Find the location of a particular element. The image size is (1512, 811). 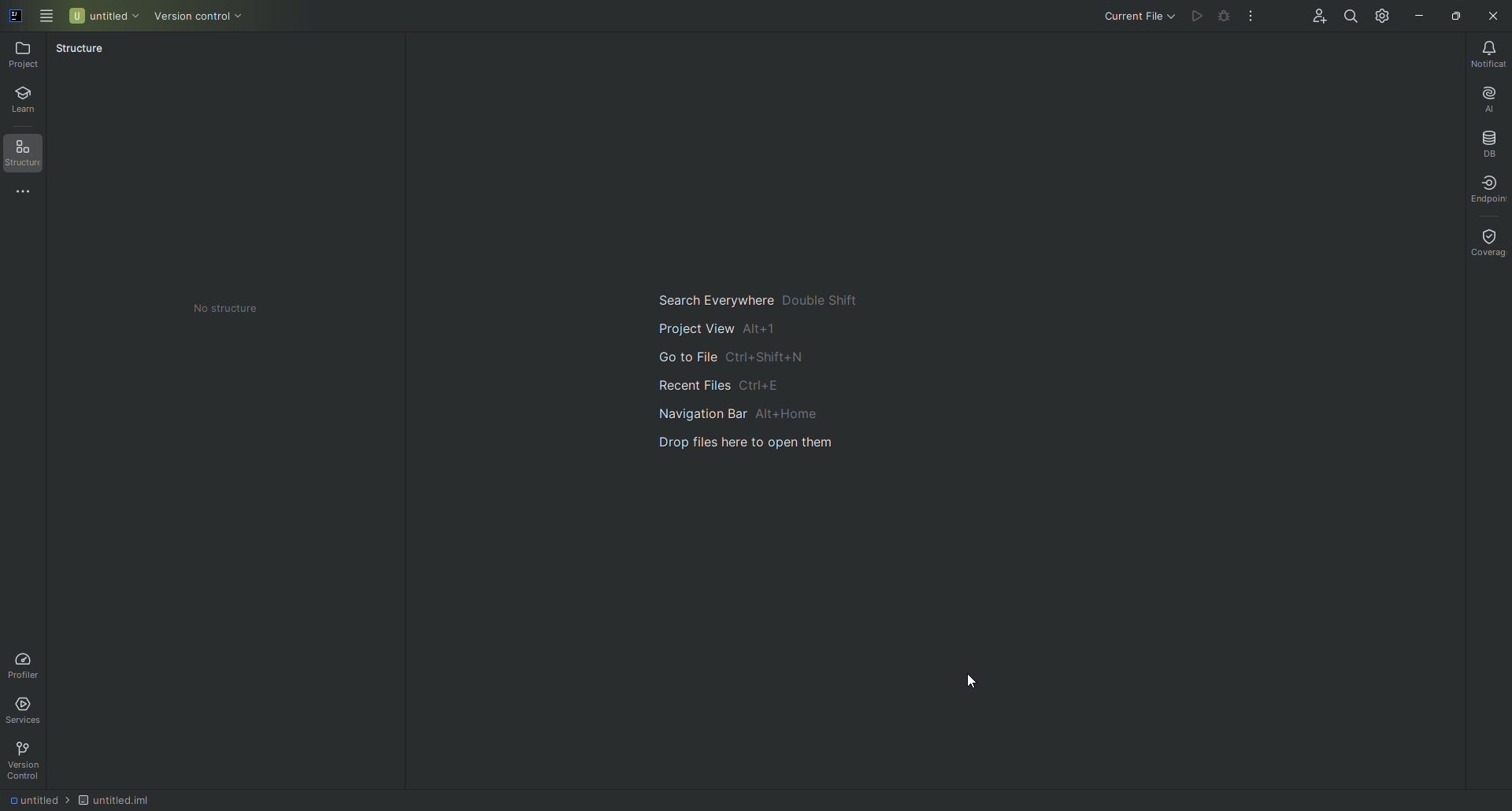

Endpoints is located at coordinates (1488, 187).